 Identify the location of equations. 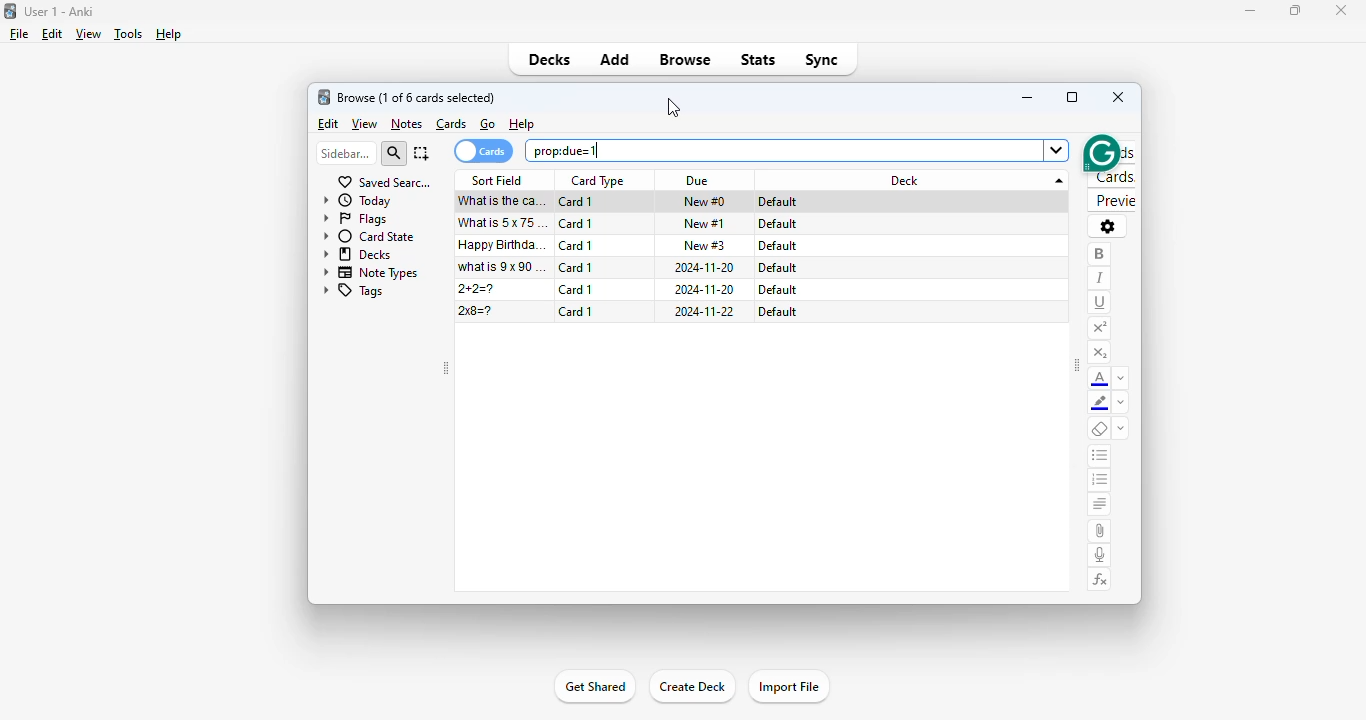
(1100, 580).